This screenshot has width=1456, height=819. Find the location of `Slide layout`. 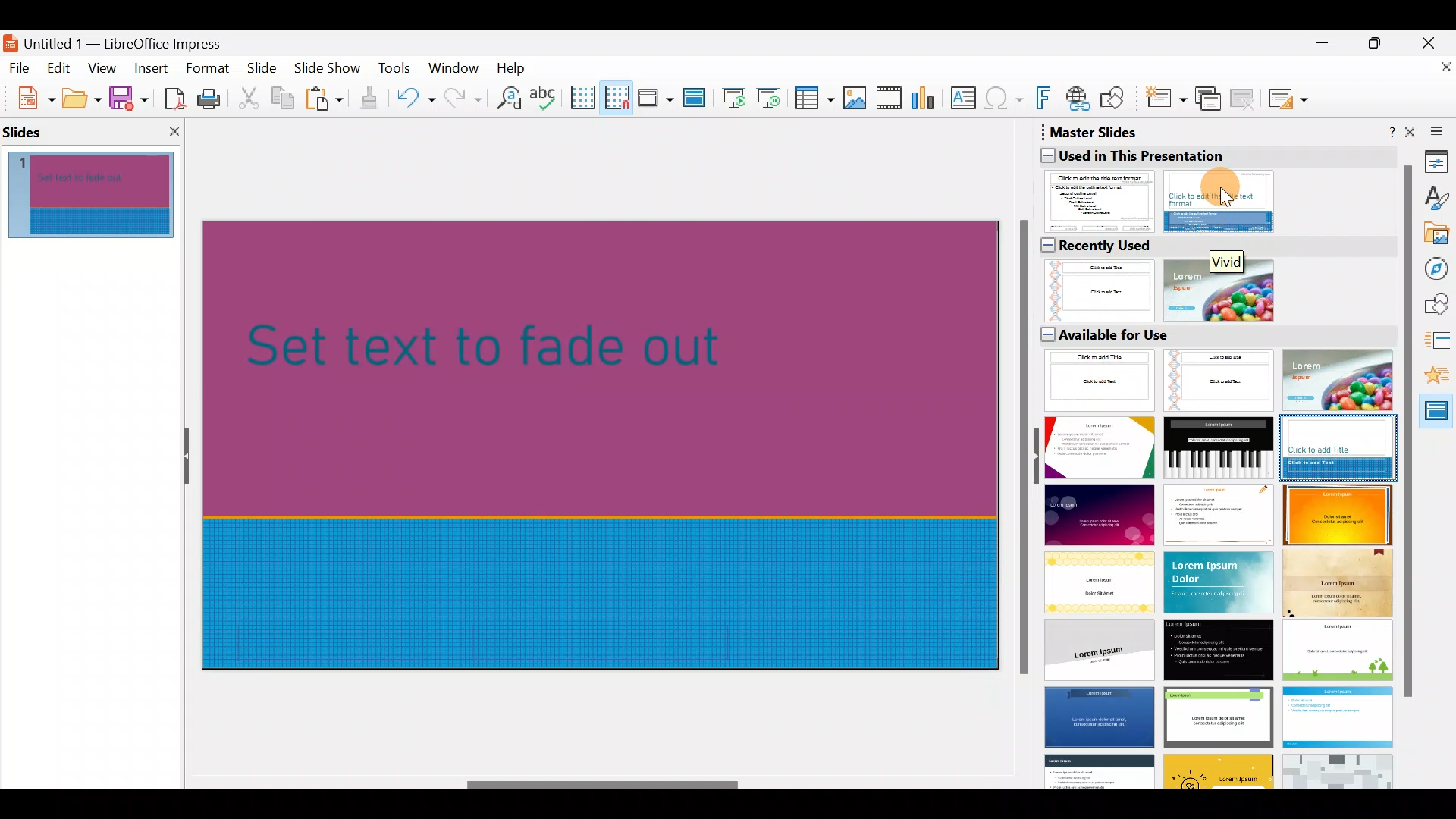

Slide layout is located at coordinates (1289, 99).